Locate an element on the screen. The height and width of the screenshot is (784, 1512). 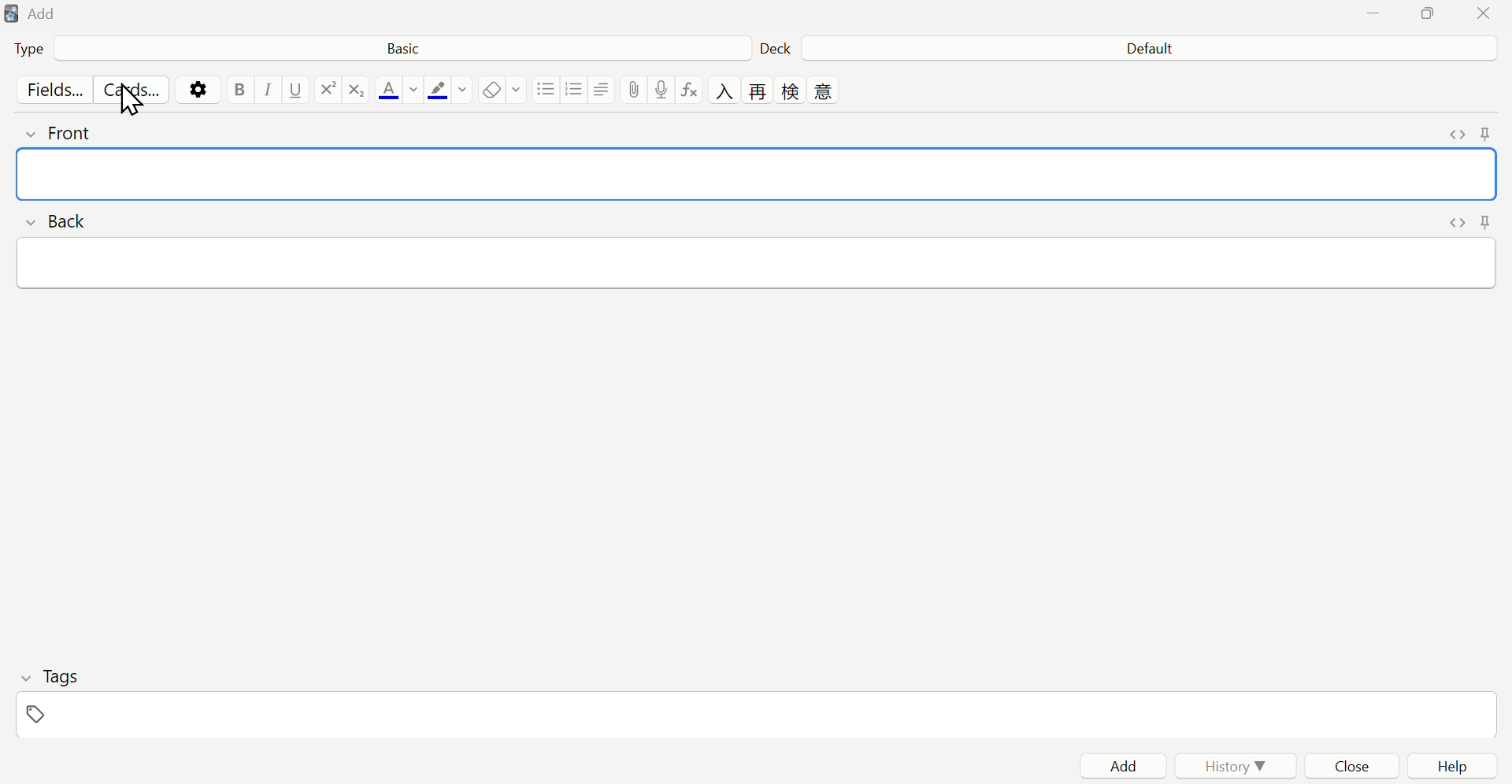
Subscript is located at coordinates (358, 91).